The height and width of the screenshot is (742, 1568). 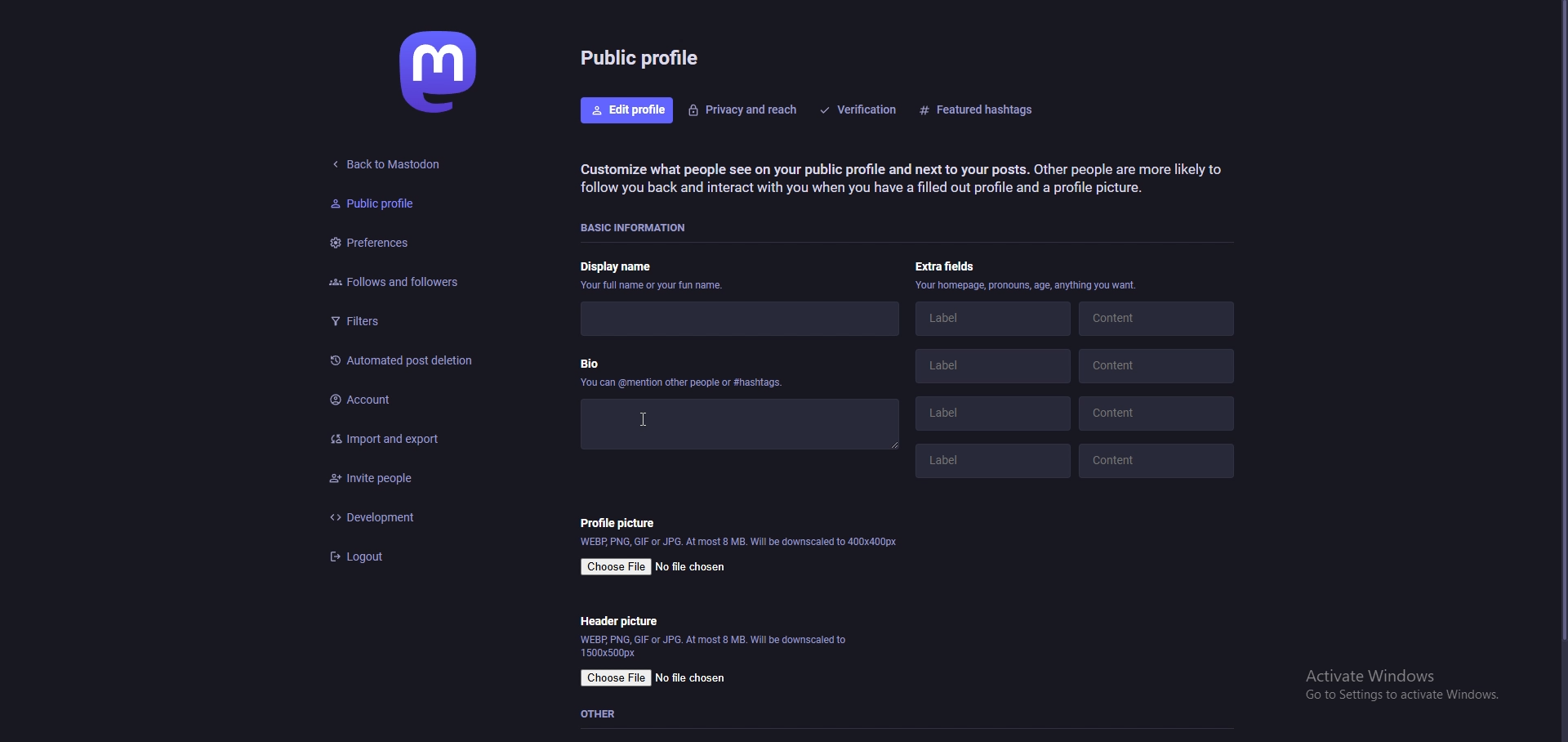 What do you see at coordinates (982, 110) in the screenshot?
I see `featurd hashtags` at bounding box center [982, 110].